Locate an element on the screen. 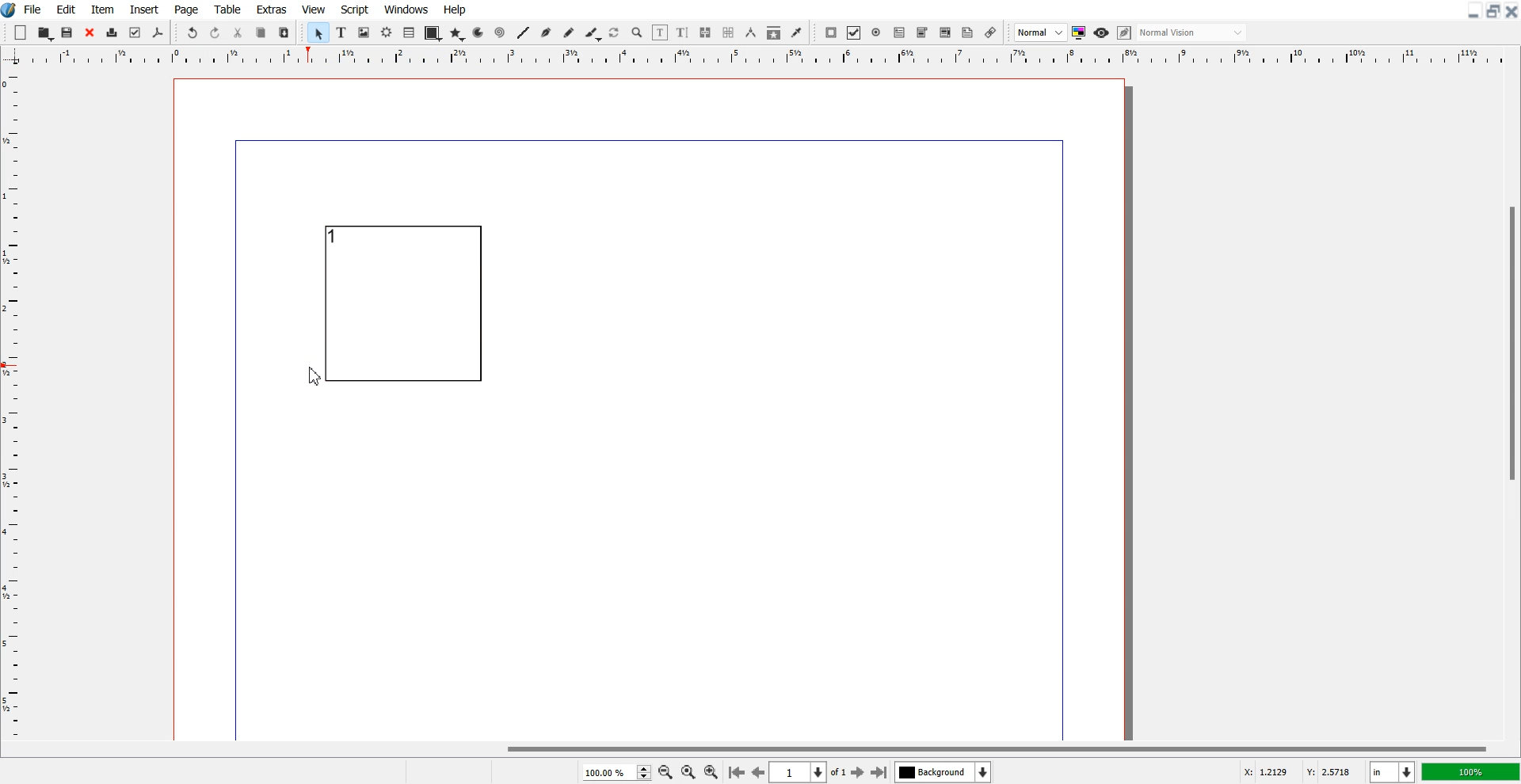 Image resolution: width=1521 pixels, height=784 pixels. Windows is located at coordinates (407, 9).